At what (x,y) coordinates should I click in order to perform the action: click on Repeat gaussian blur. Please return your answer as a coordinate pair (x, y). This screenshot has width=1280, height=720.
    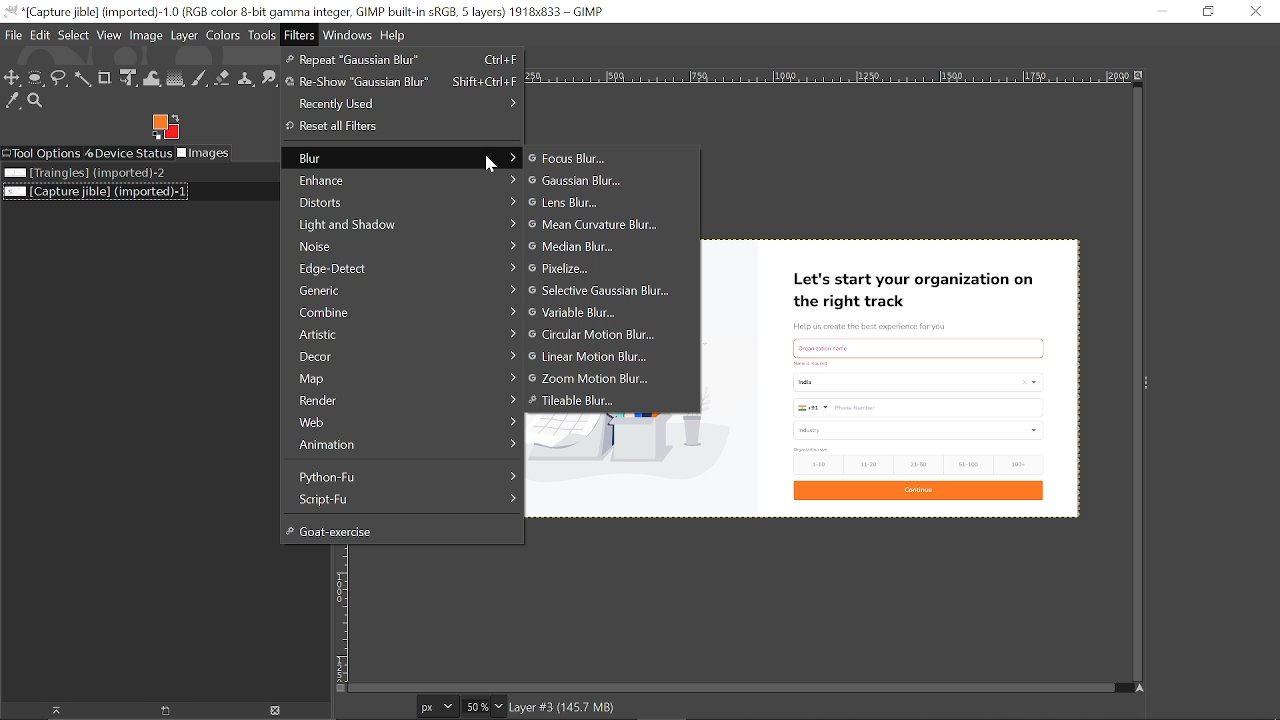
    Looking at the image, I should click on (401, 60).